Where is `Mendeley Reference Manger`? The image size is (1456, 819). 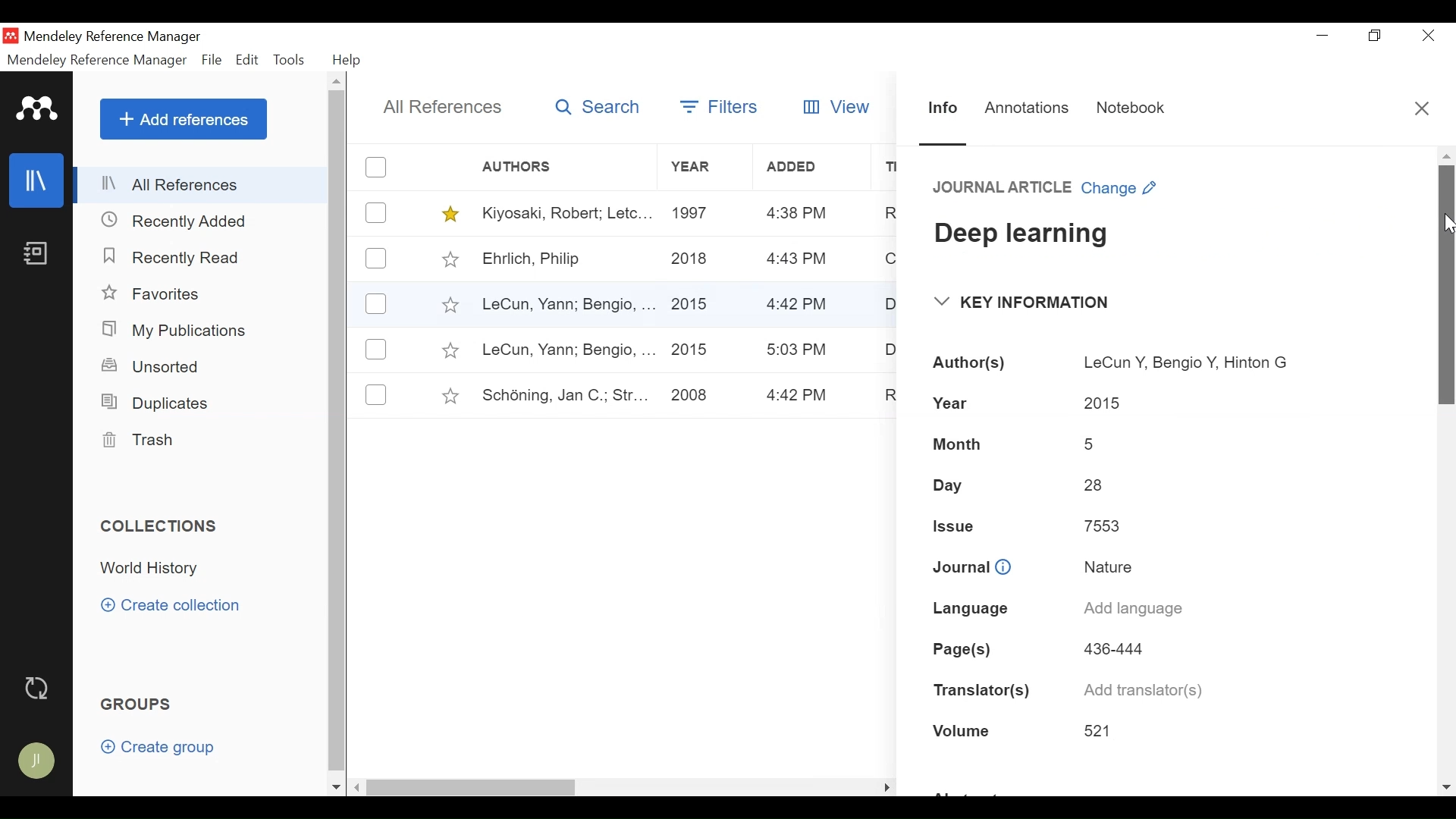
Mendeley Reference Manger is located at coordinates (122, 36).